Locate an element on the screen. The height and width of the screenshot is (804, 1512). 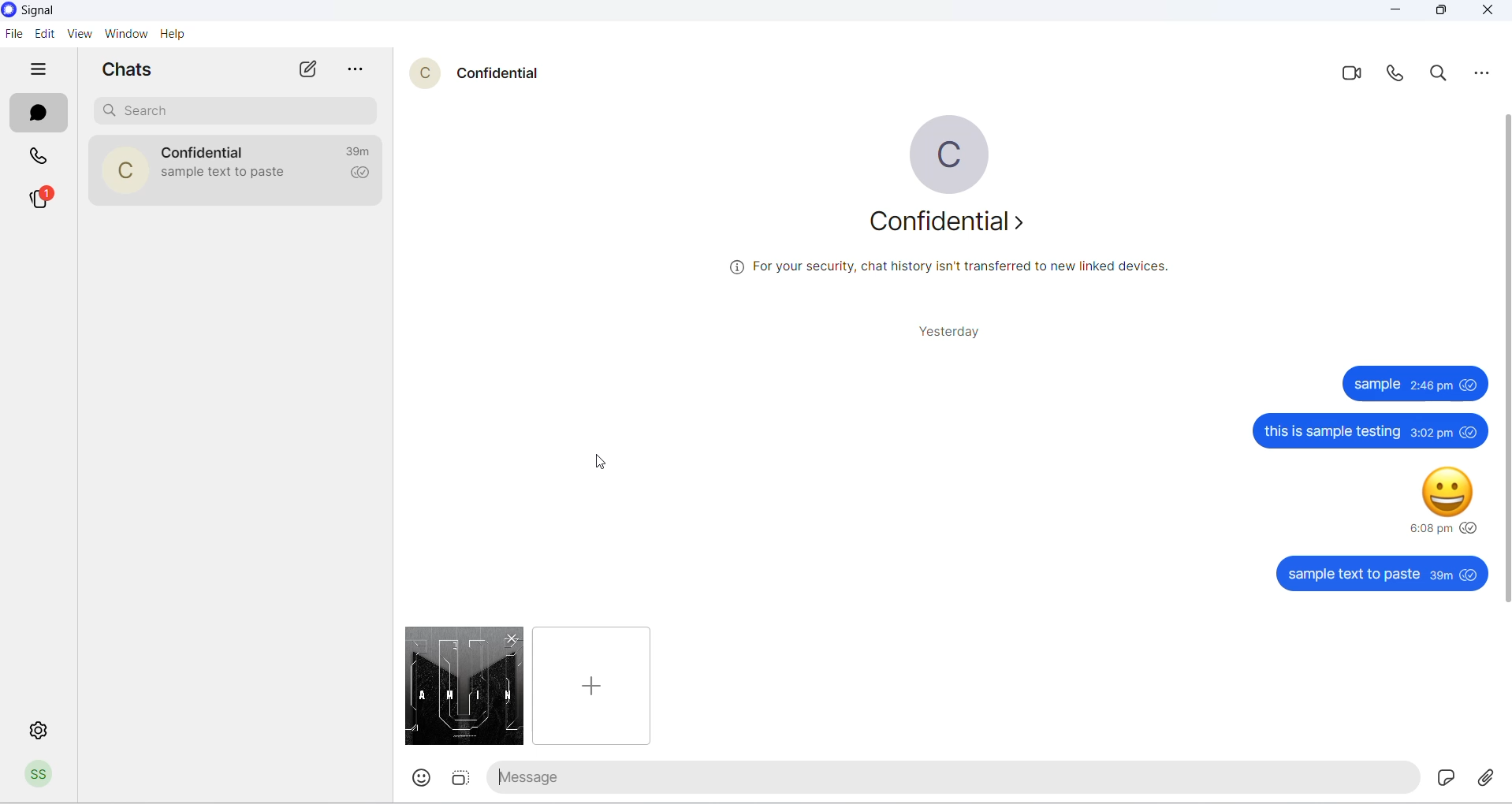
read recipient is located at coordinates (362, 175).